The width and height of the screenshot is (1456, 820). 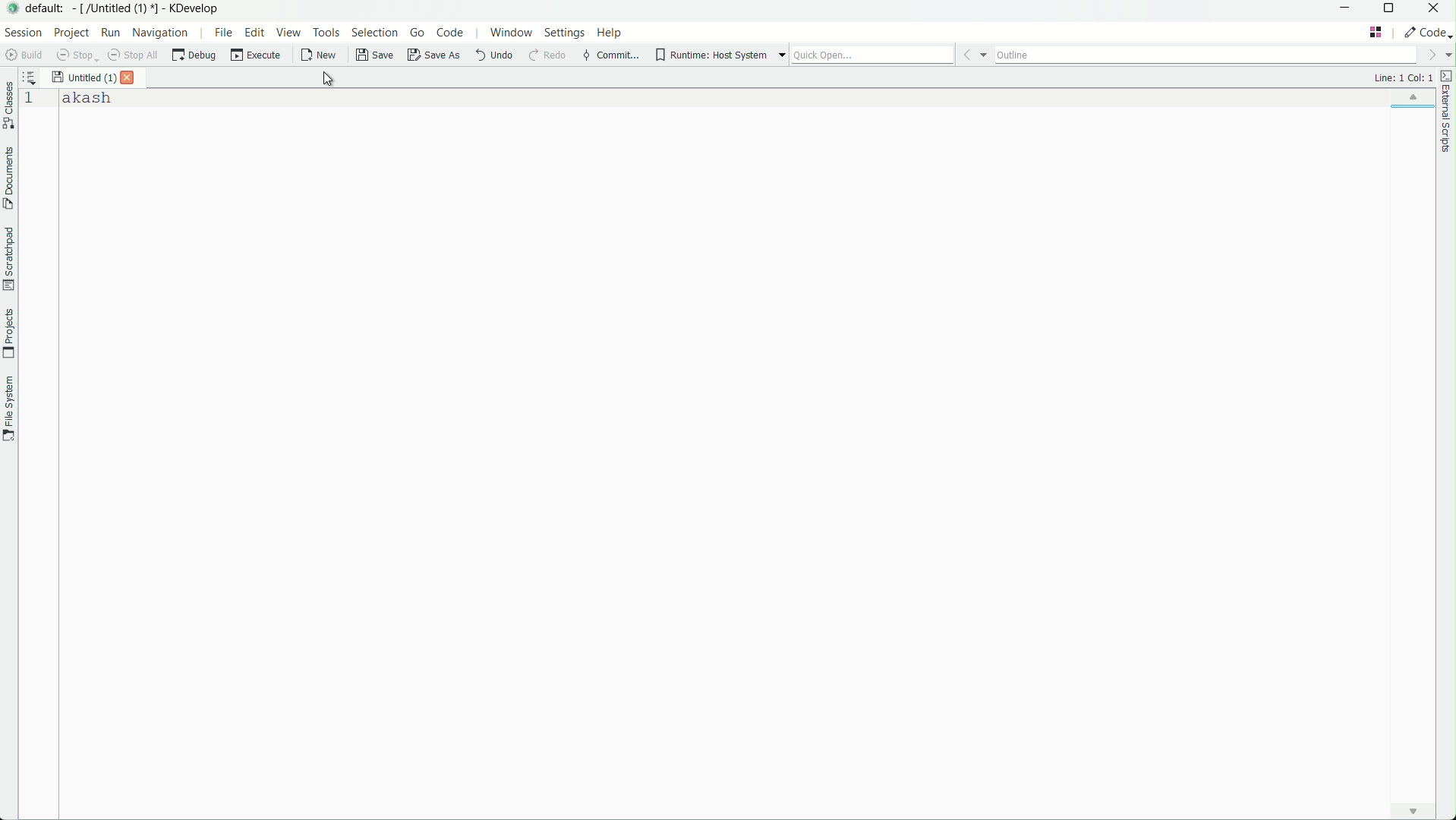 What do you see at coordinates (1349, 10) in the screenshot?
I see `minimize` at bounding box center [1349, 10].